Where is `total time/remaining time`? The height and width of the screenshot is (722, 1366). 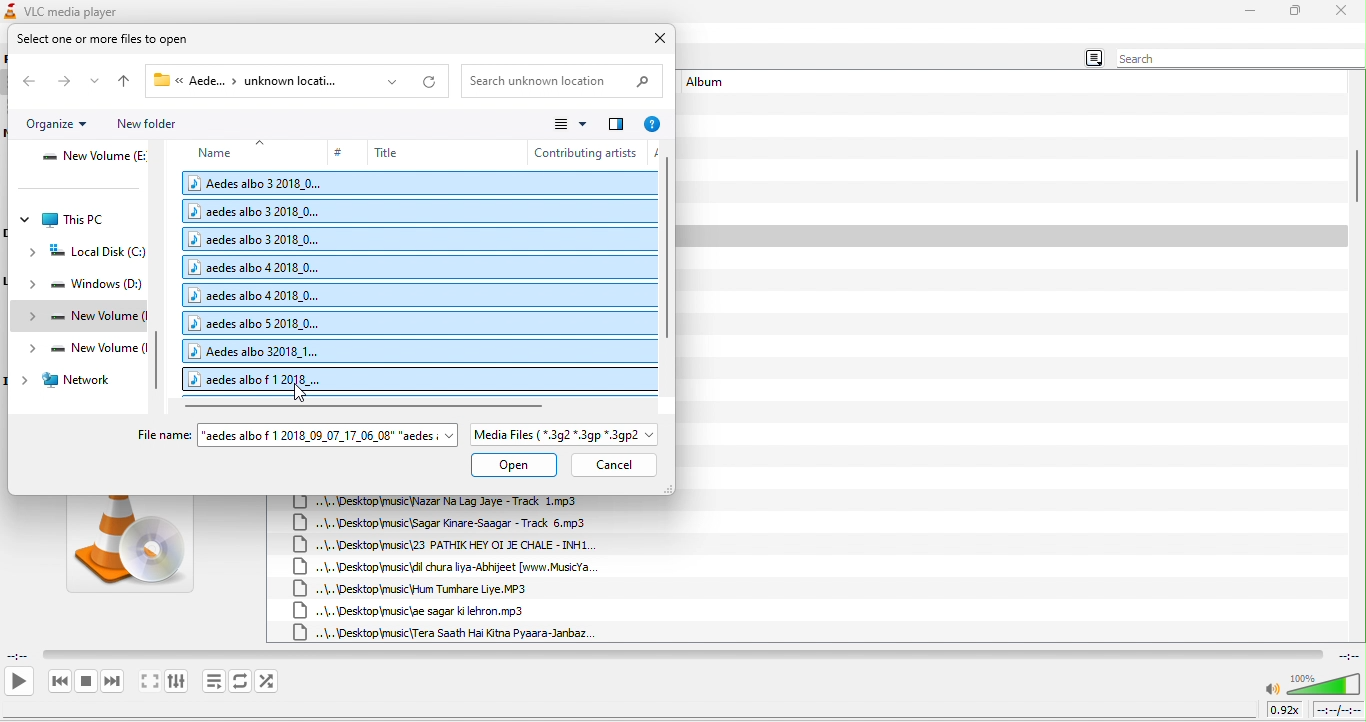 total time/remaining time is located at coordinates (1337, 710).